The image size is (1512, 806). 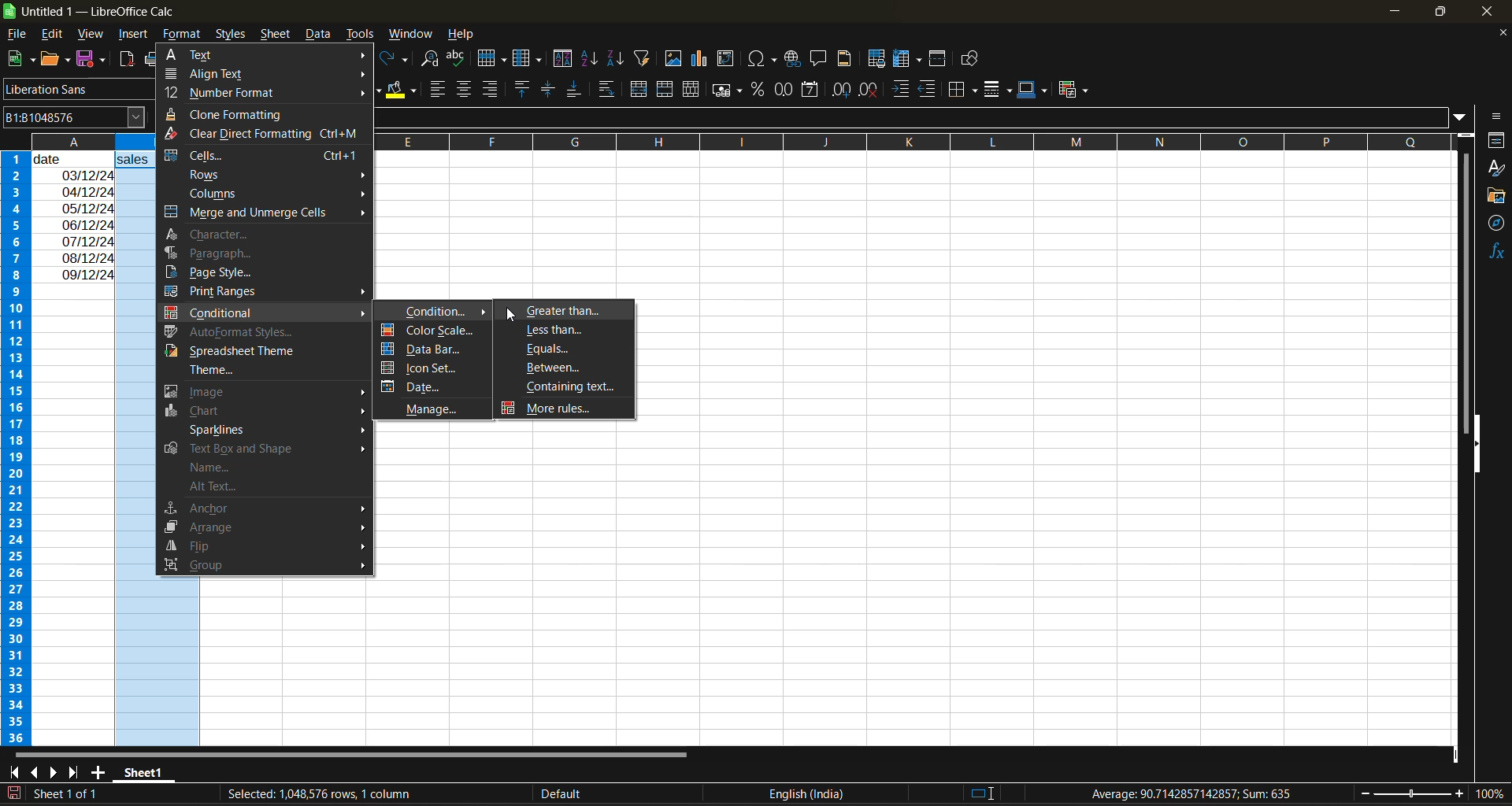 I want to click on column, so click(x=530, y=59).